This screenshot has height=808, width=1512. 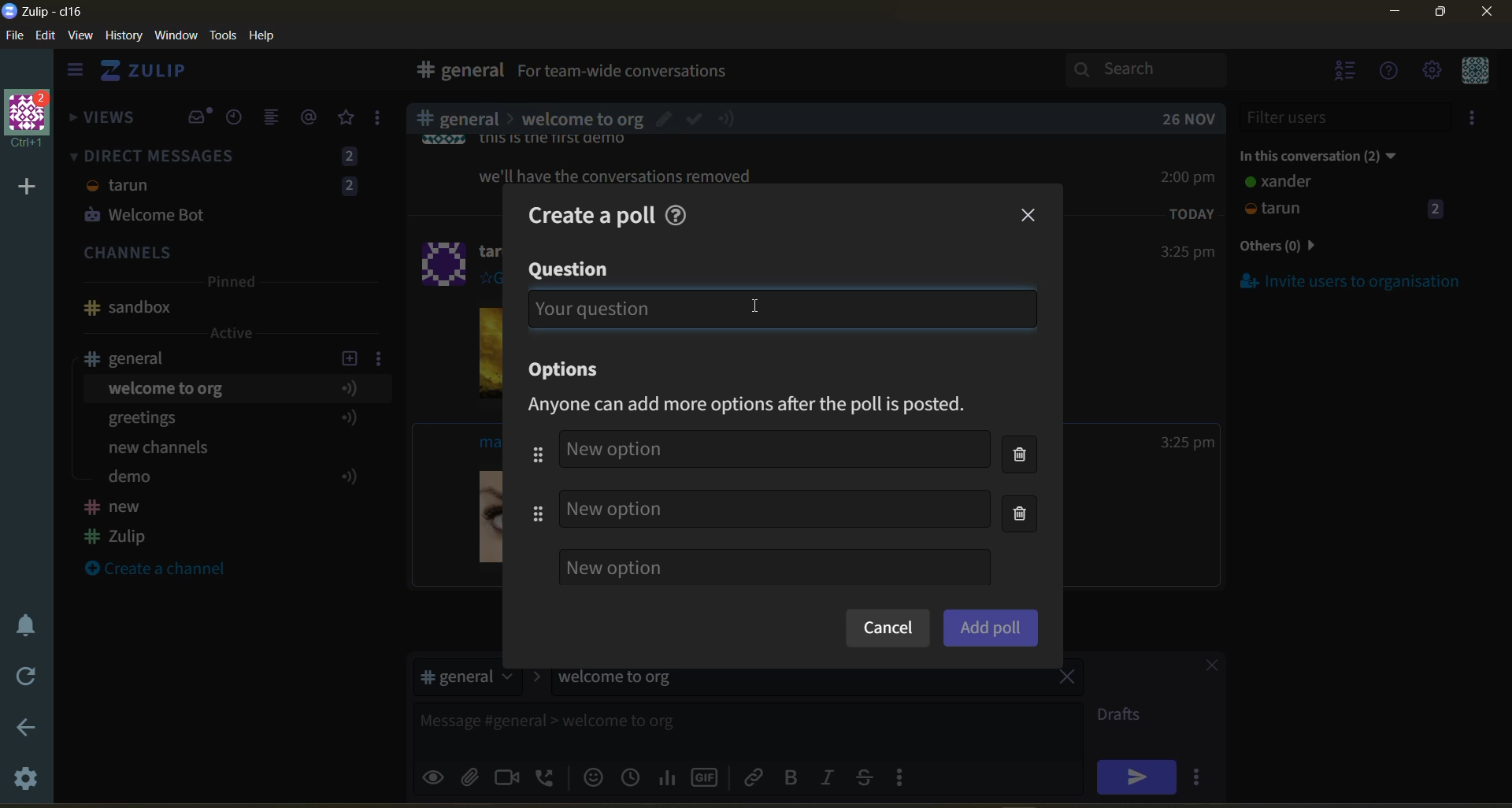 I want to click on help, so click(x=915, y=74).